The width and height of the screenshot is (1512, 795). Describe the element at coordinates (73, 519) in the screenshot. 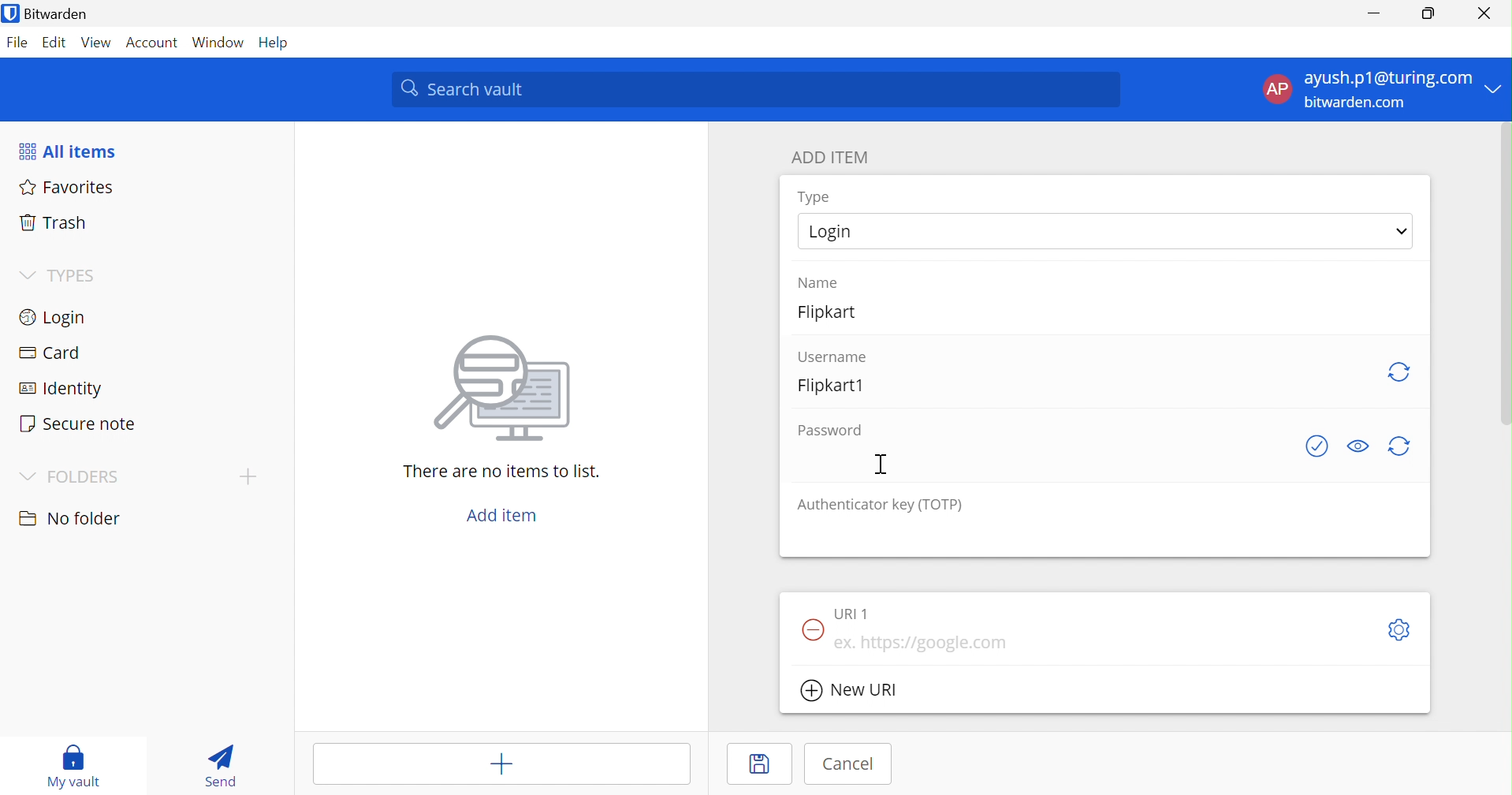

I see `No folder` at that location.